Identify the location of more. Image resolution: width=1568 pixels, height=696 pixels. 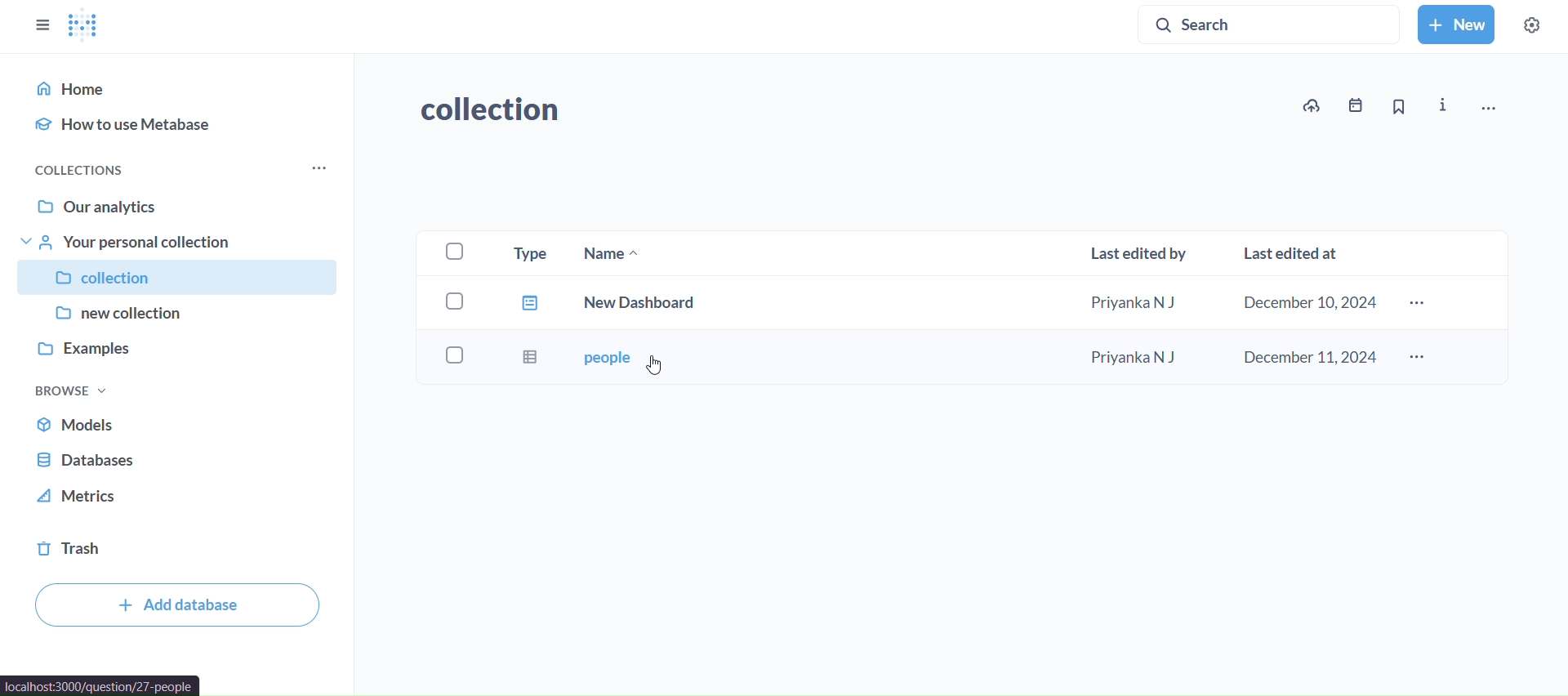
(317, 170).